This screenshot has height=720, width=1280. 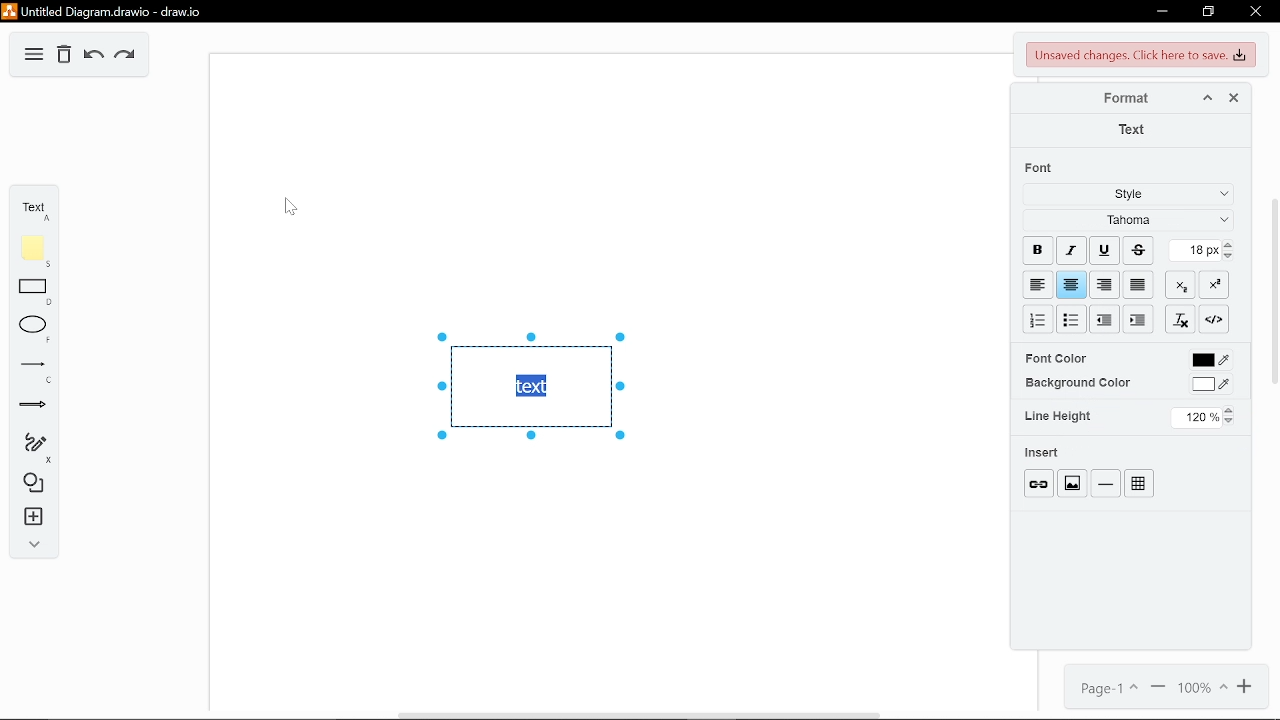 What do you see at coordinates (30, 330) in the screenshot?
I see `ellipse` at bounding box center [30, 330].